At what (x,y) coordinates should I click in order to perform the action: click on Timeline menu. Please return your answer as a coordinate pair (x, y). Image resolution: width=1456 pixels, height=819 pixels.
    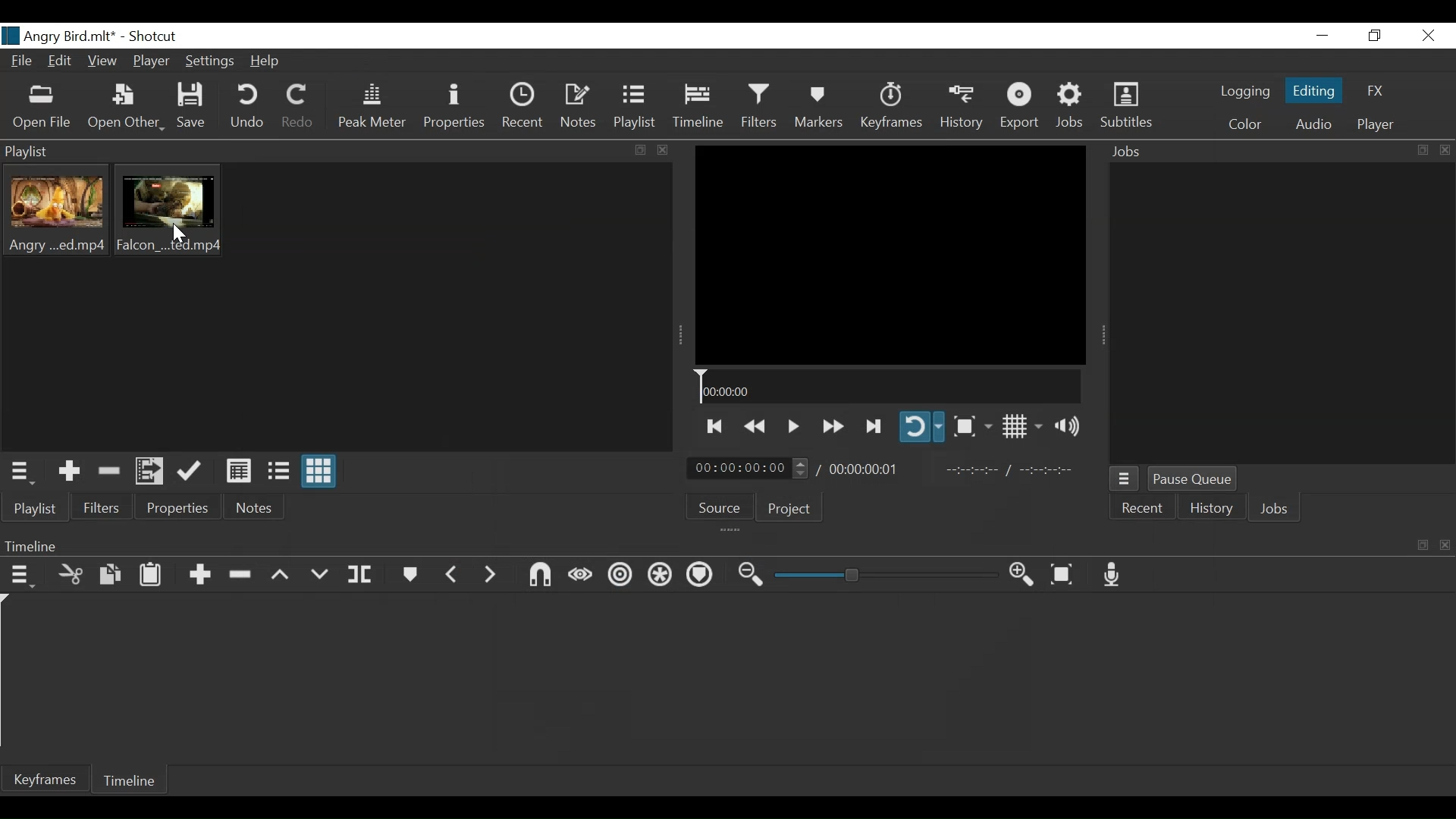
    Looking at the image, I should click on (24, 574).